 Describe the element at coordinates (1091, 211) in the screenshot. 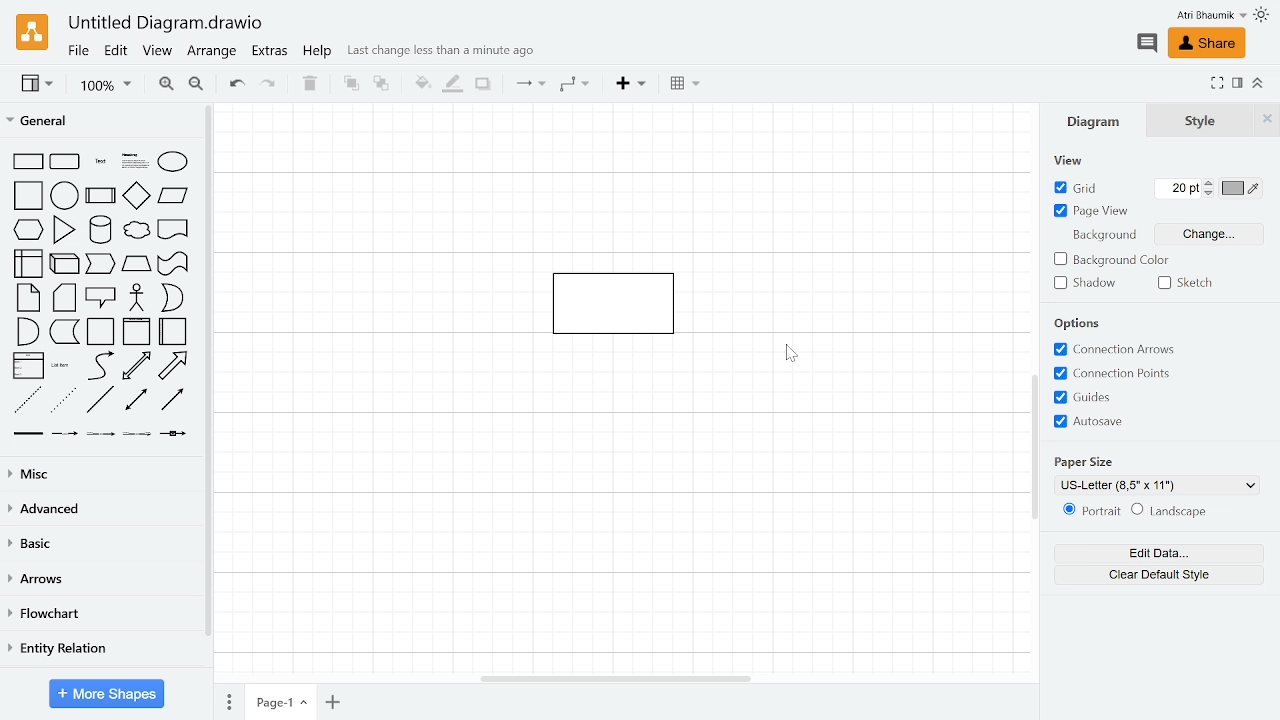

I see `Page view` at that location.